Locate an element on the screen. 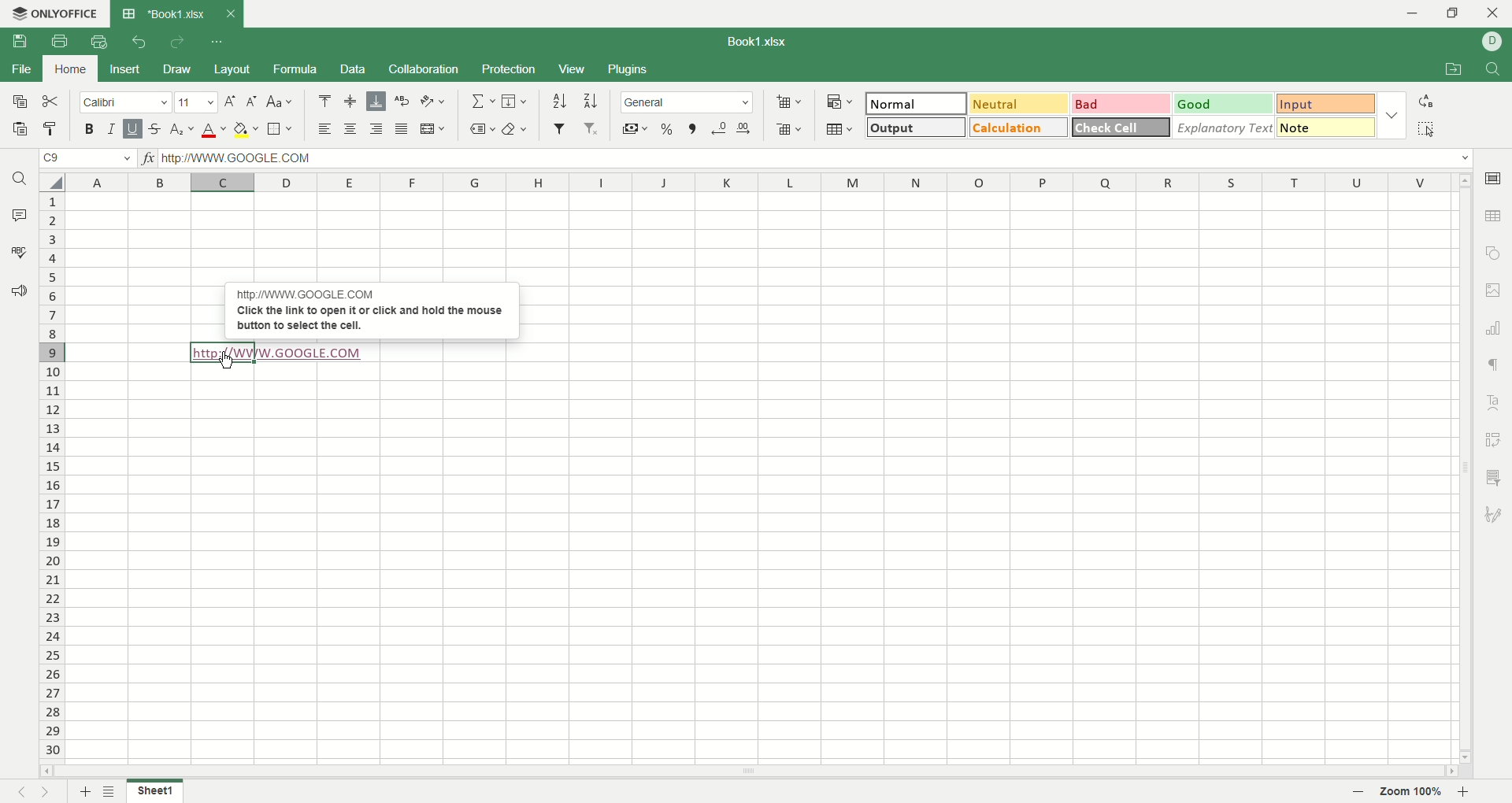  align top is located at coordinates (323, 100).